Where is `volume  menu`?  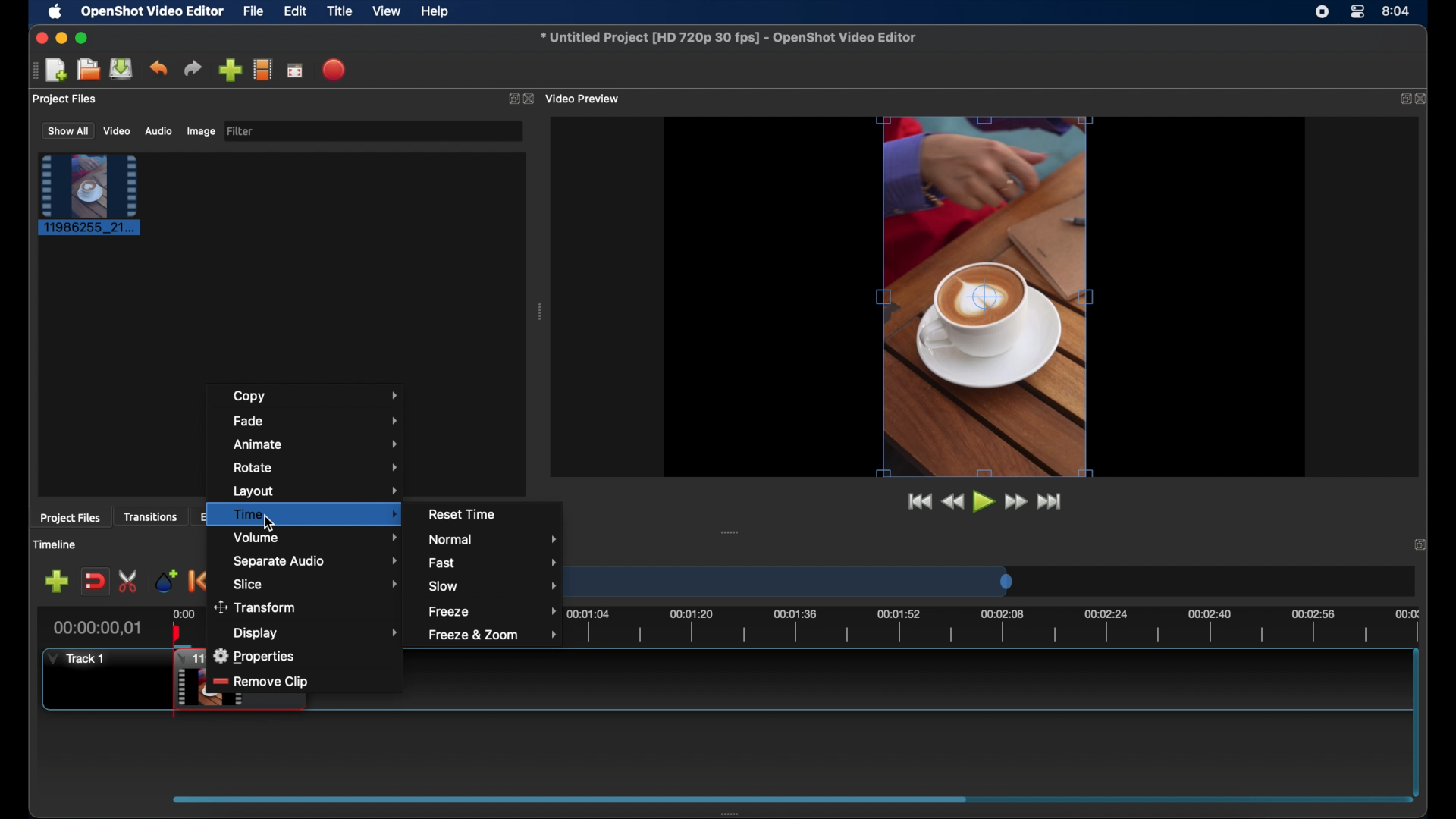
volume  menu is located at coordinates (317, 538).